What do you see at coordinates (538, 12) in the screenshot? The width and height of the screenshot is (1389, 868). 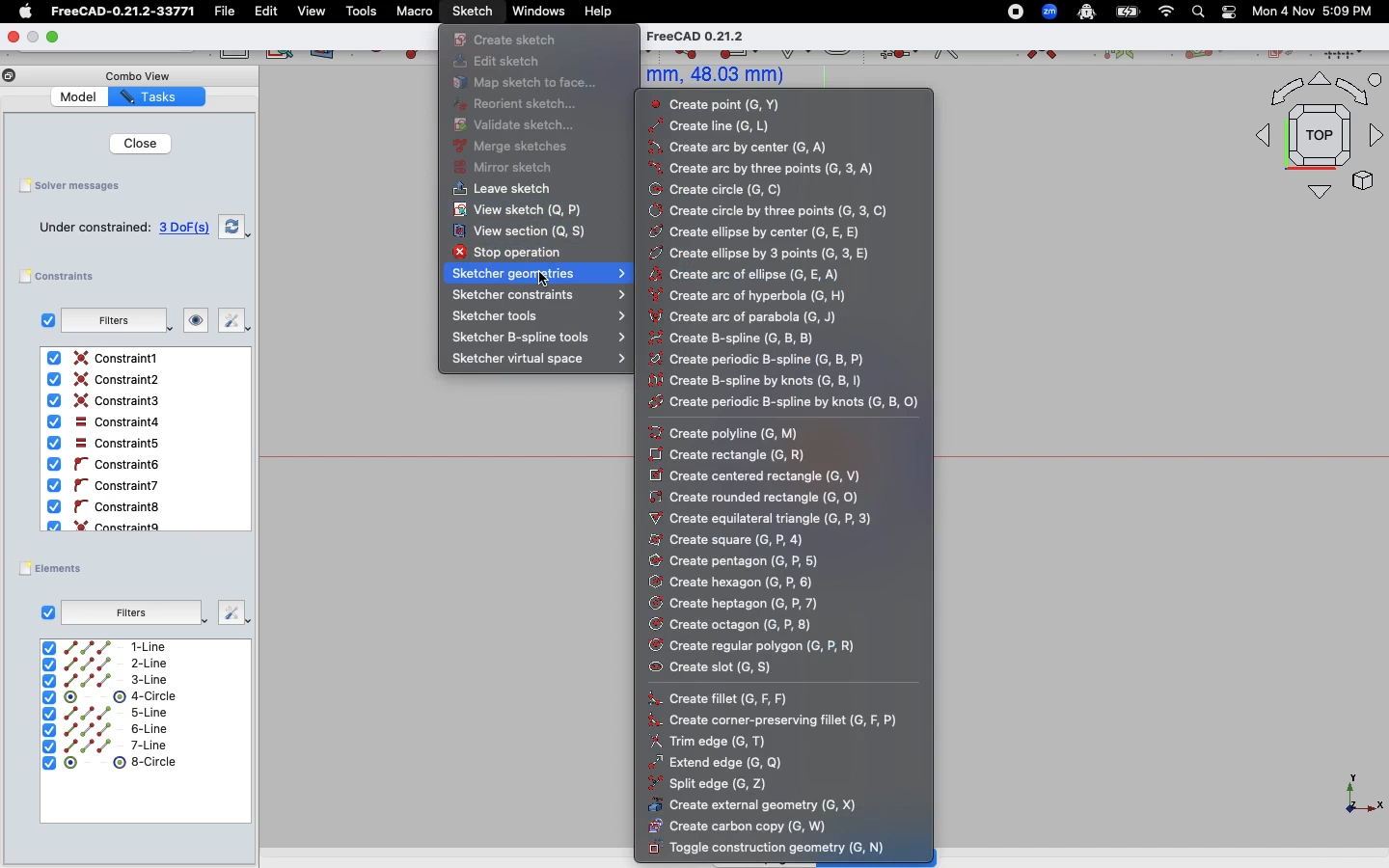 I see `Windows` at bounding box center [538, 12].